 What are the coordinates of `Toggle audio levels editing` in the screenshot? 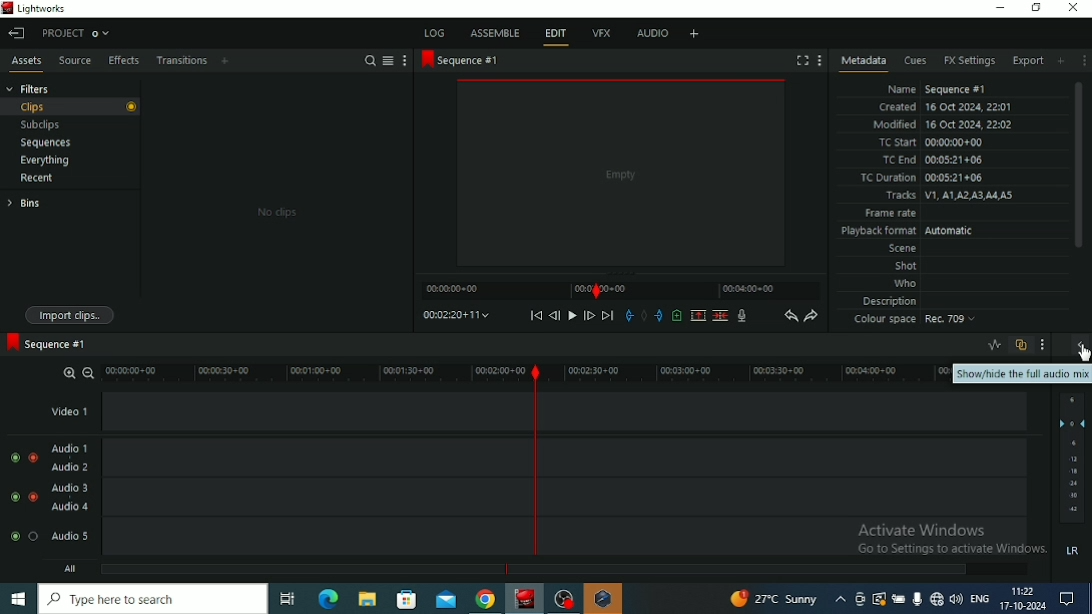 It's located at (994, 345).